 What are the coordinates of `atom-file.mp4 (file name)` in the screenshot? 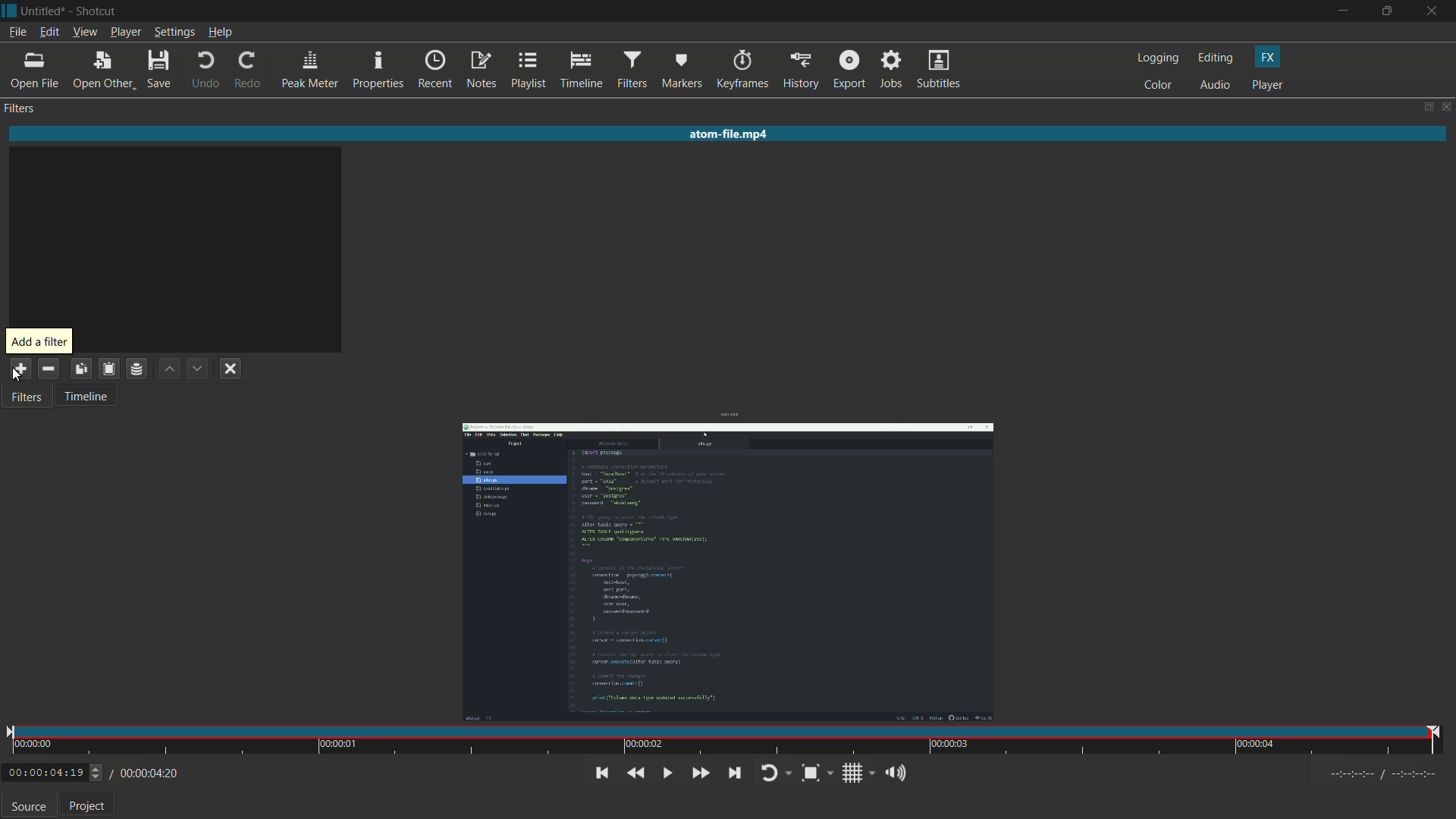 It's located at (729, 132).